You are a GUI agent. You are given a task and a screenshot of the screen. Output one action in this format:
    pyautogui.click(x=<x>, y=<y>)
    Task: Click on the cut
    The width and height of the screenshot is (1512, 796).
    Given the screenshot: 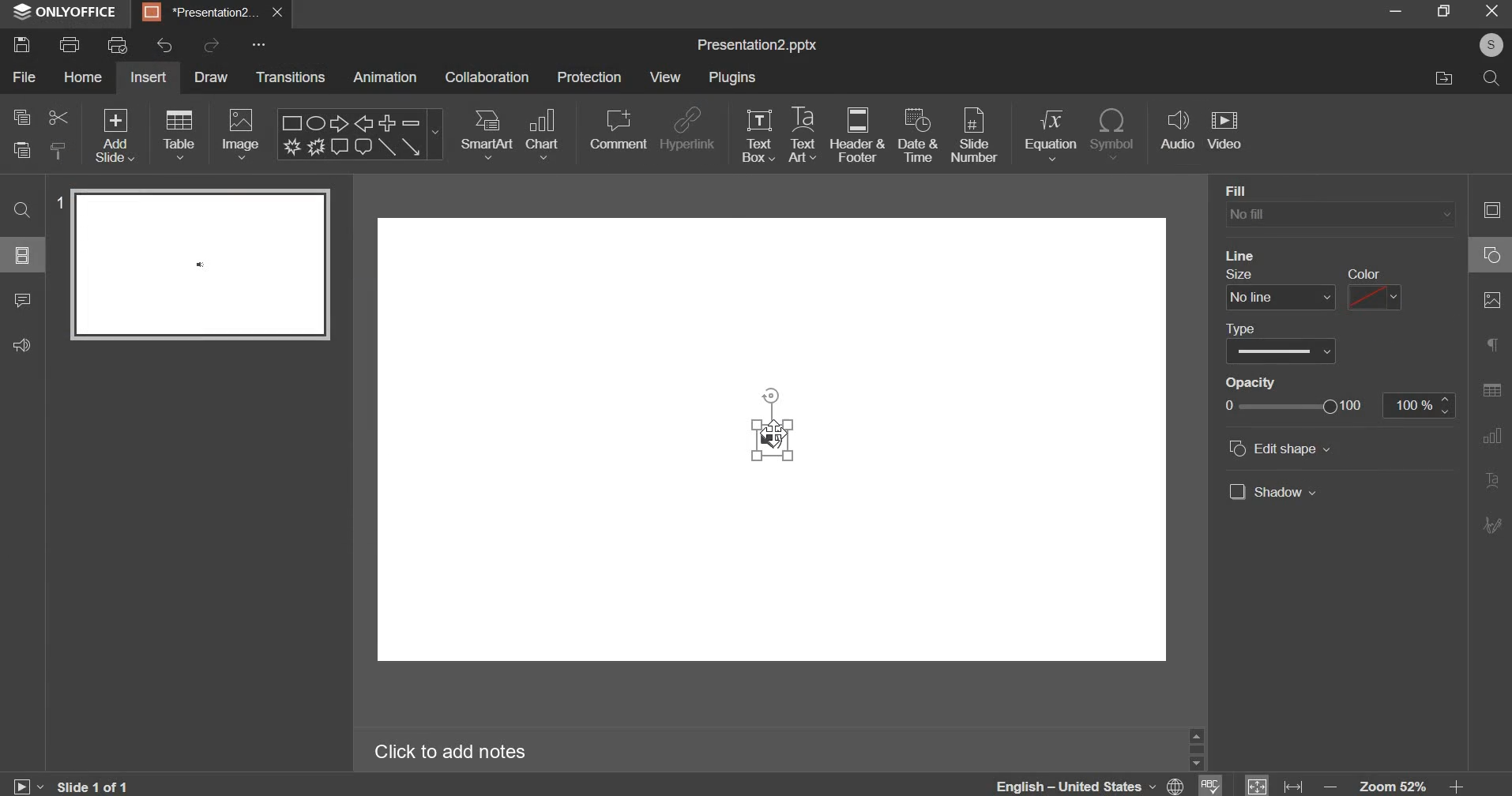 What is the action you would take?
    pyautogui.click(x=57, y=118)
    